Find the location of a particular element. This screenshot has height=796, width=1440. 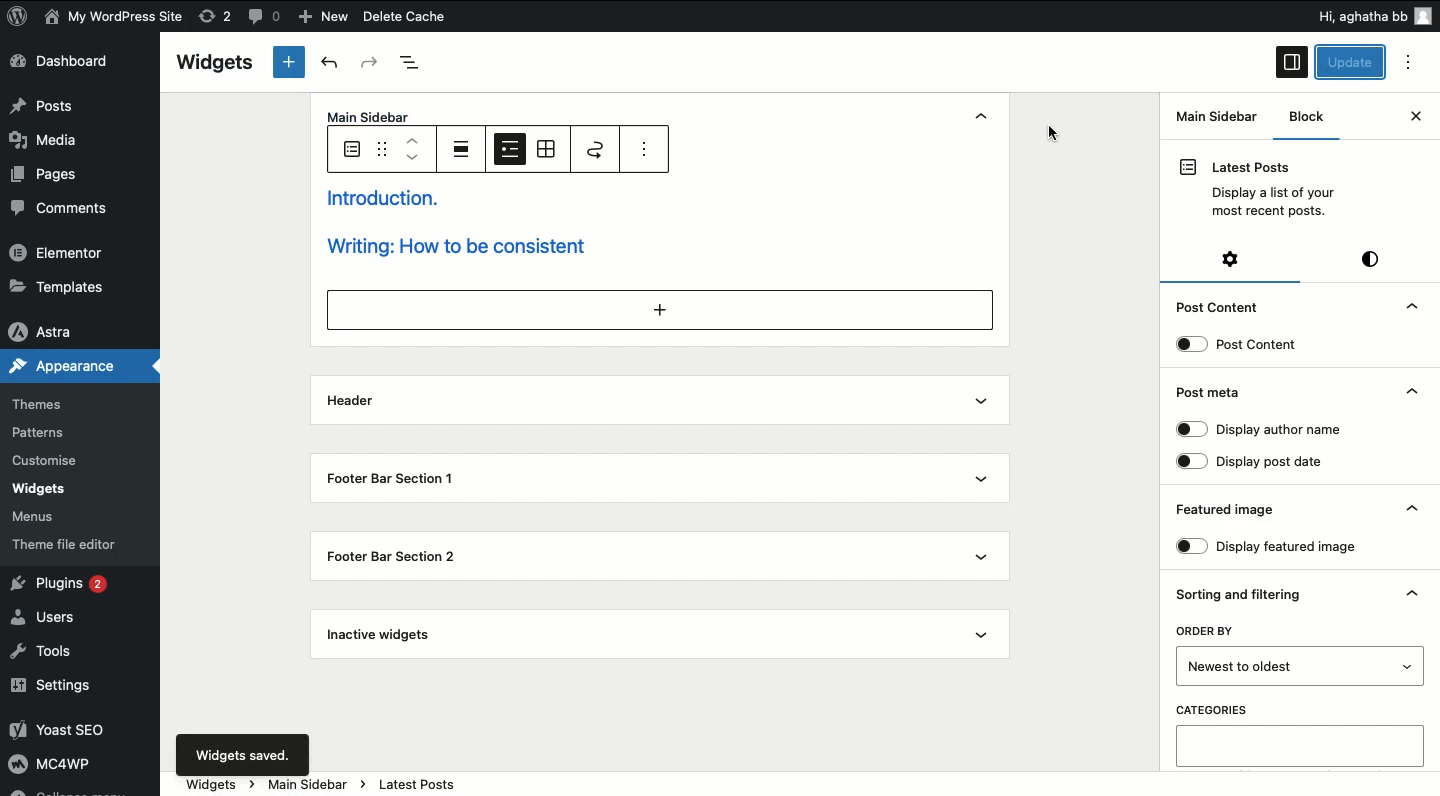

Astra is located at coordinates (51, 329).